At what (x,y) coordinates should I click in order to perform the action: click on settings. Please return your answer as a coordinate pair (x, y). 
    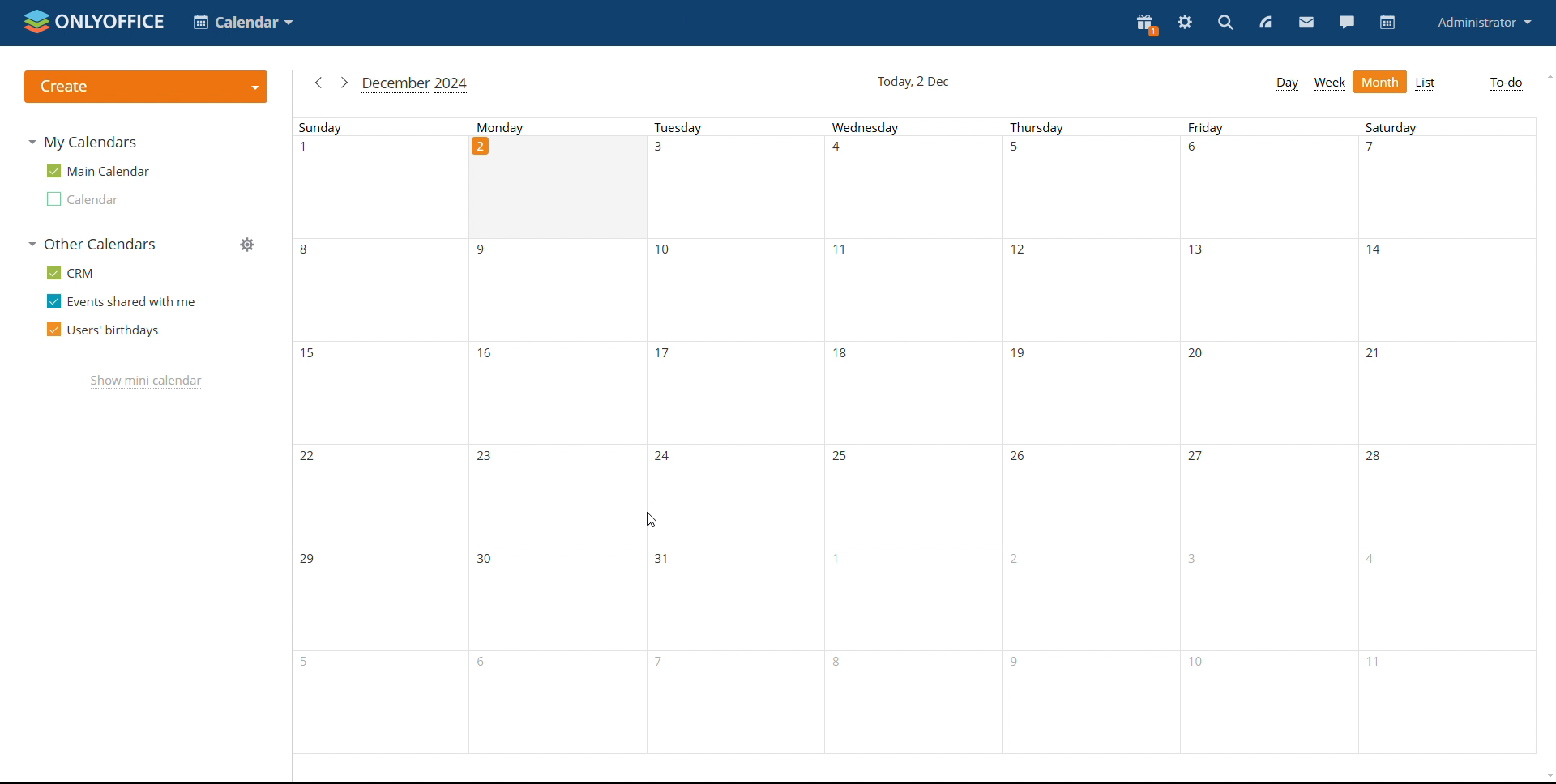
    Looking at the image, I should click on (1188, 25).